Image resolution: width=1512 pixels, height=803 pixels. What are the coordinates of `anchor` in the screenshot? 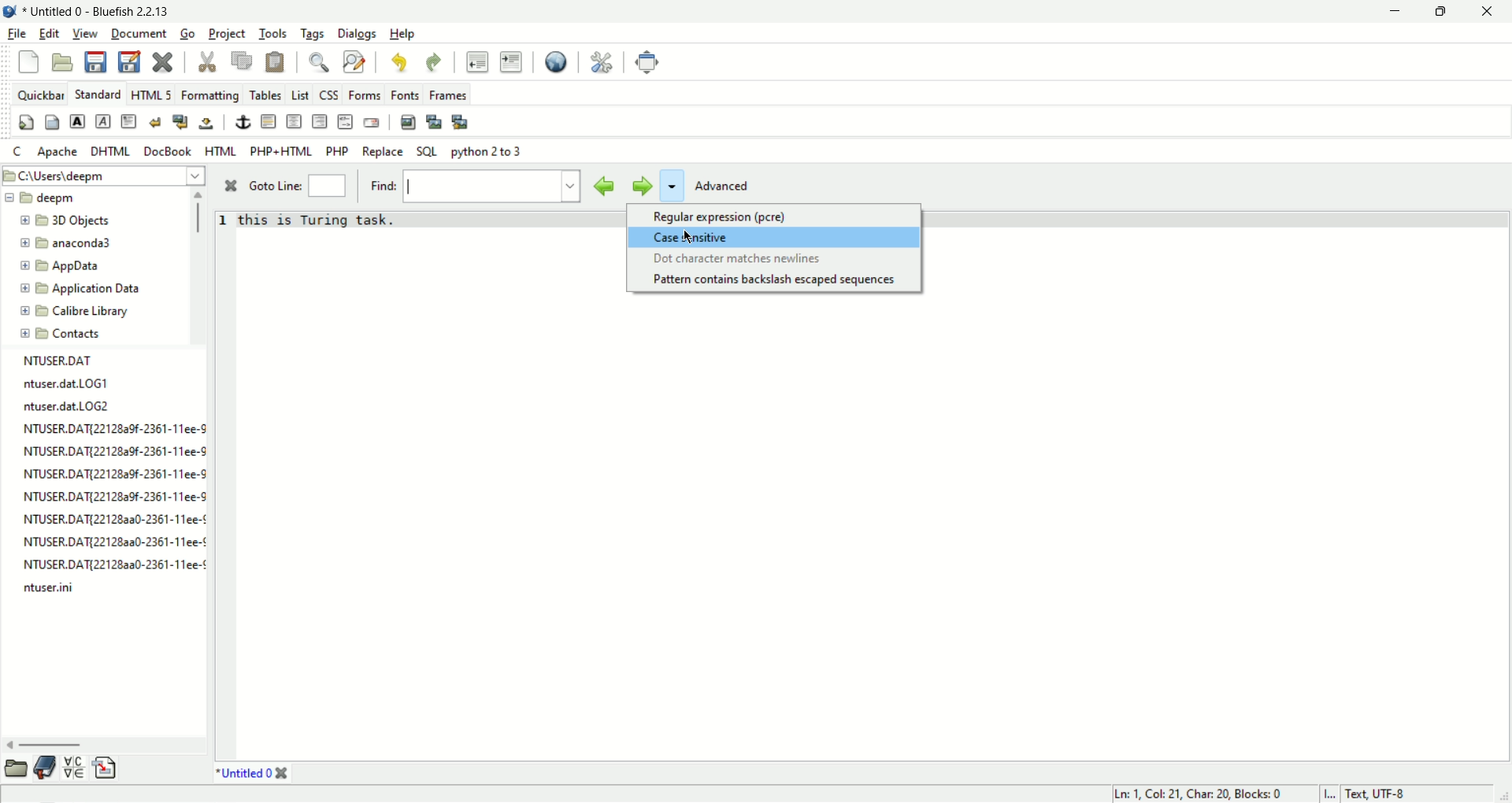 It's located at (243, 121).